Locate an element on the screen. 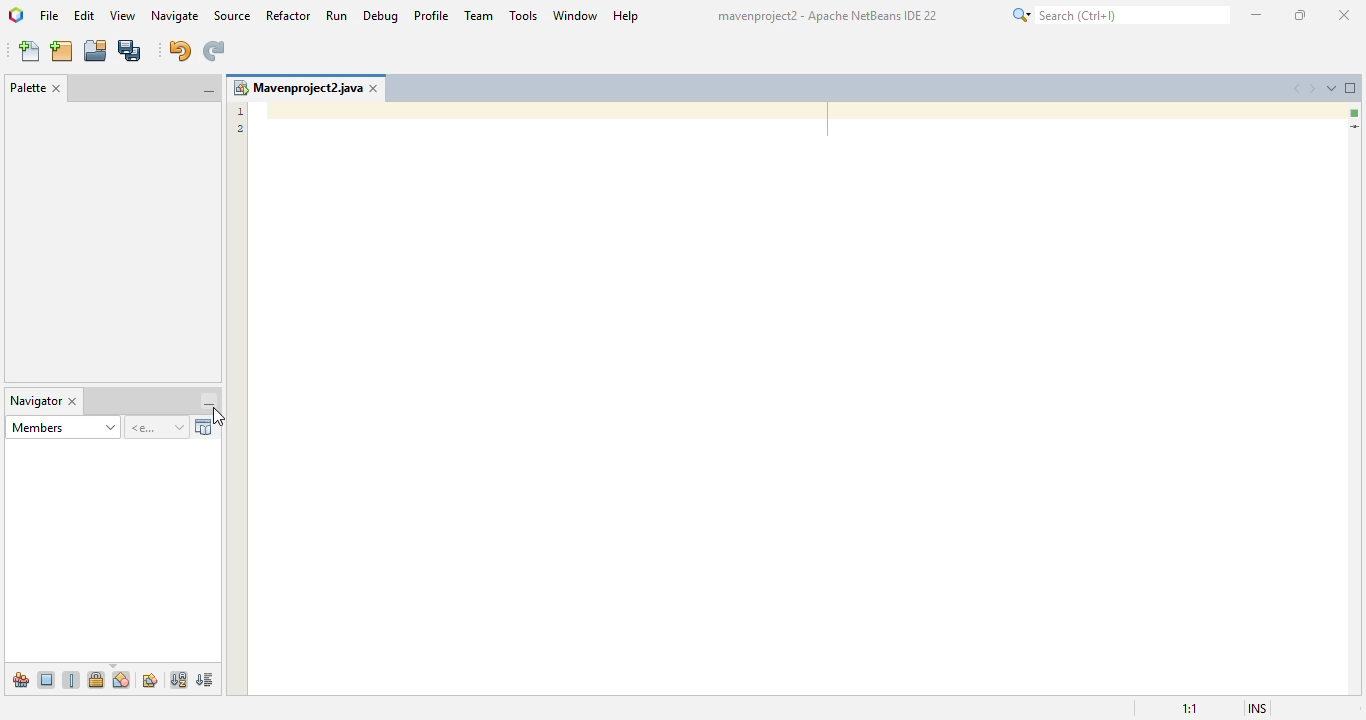 This screenshot has width=1366, height=720. show static members is located at coordinates (73, 679).